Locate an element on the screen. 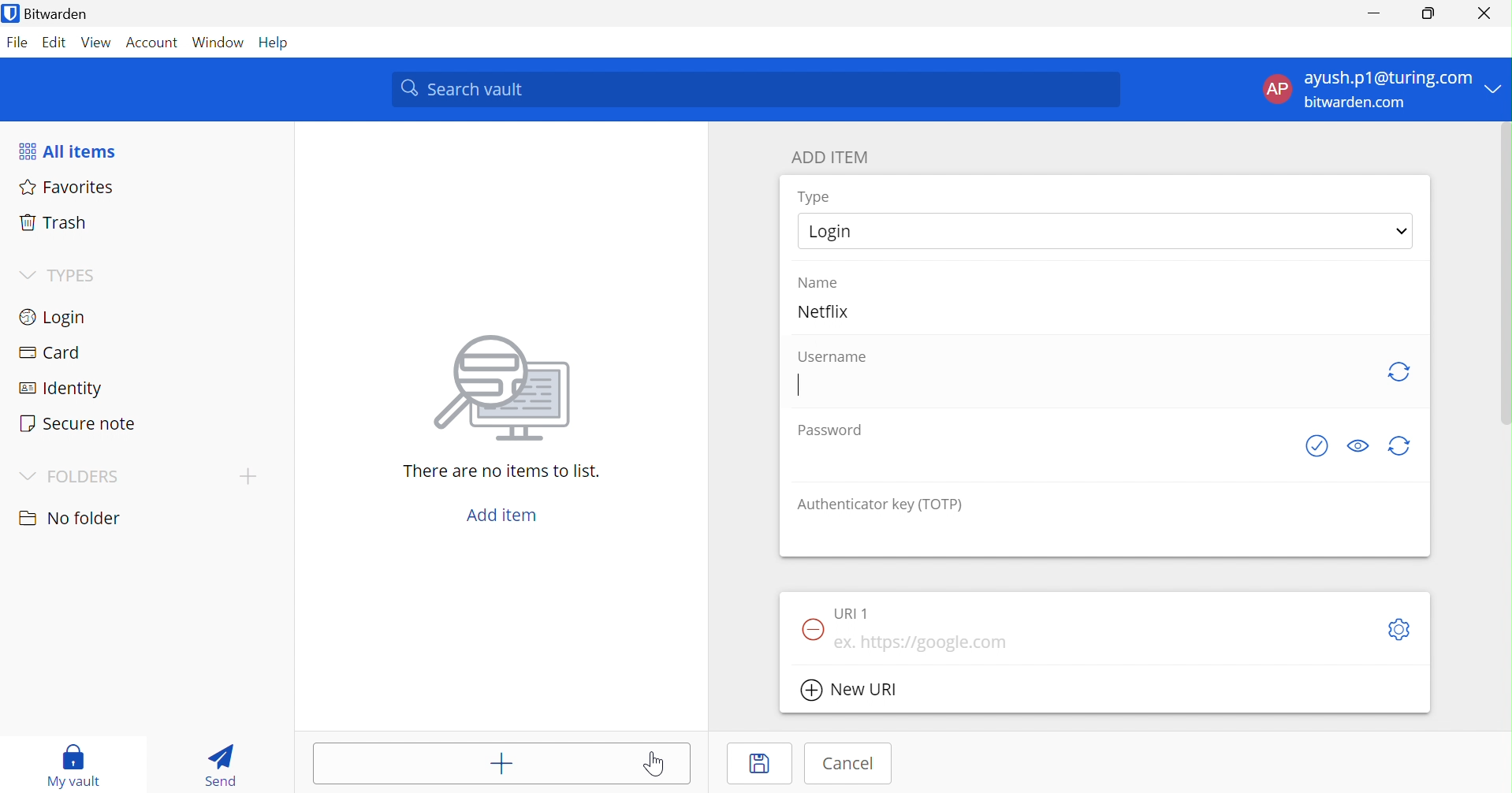  AP is located at coordinates (1277, 89).